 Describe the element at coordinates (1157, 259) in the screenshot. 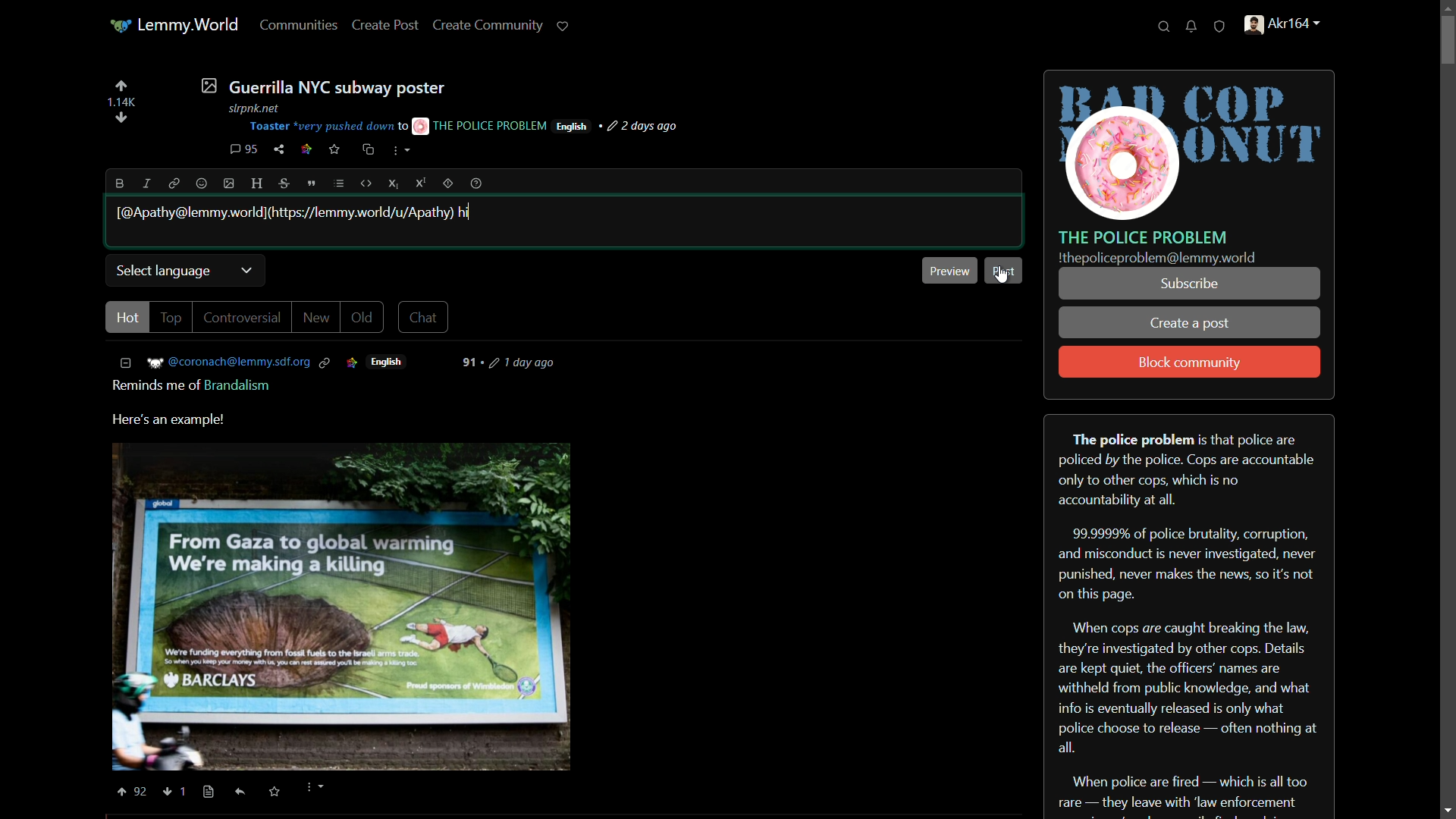

I see `text` at that location.